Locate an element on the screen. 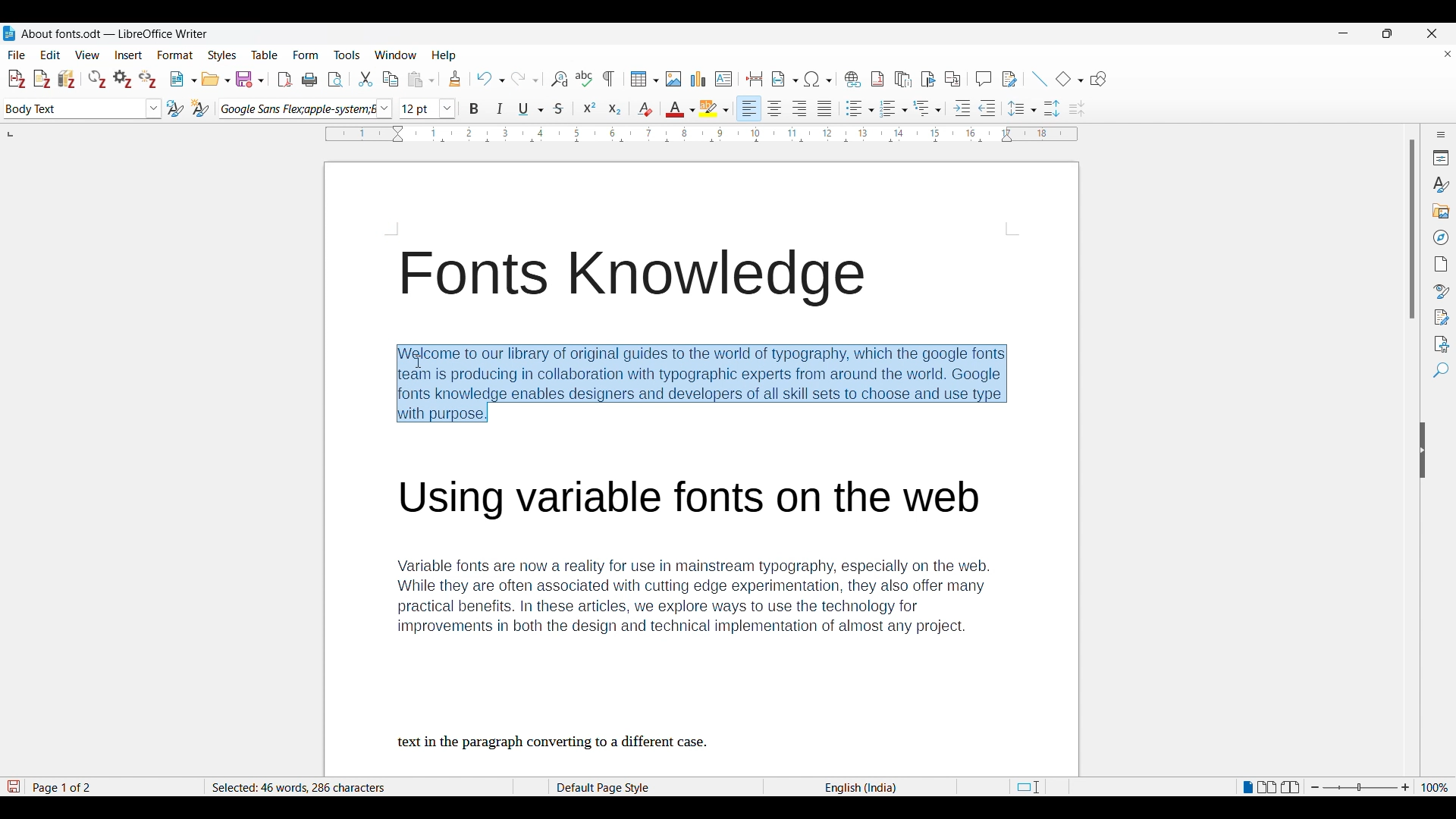  Cursor clicking on Format menu is located at coordinates (178, 64).